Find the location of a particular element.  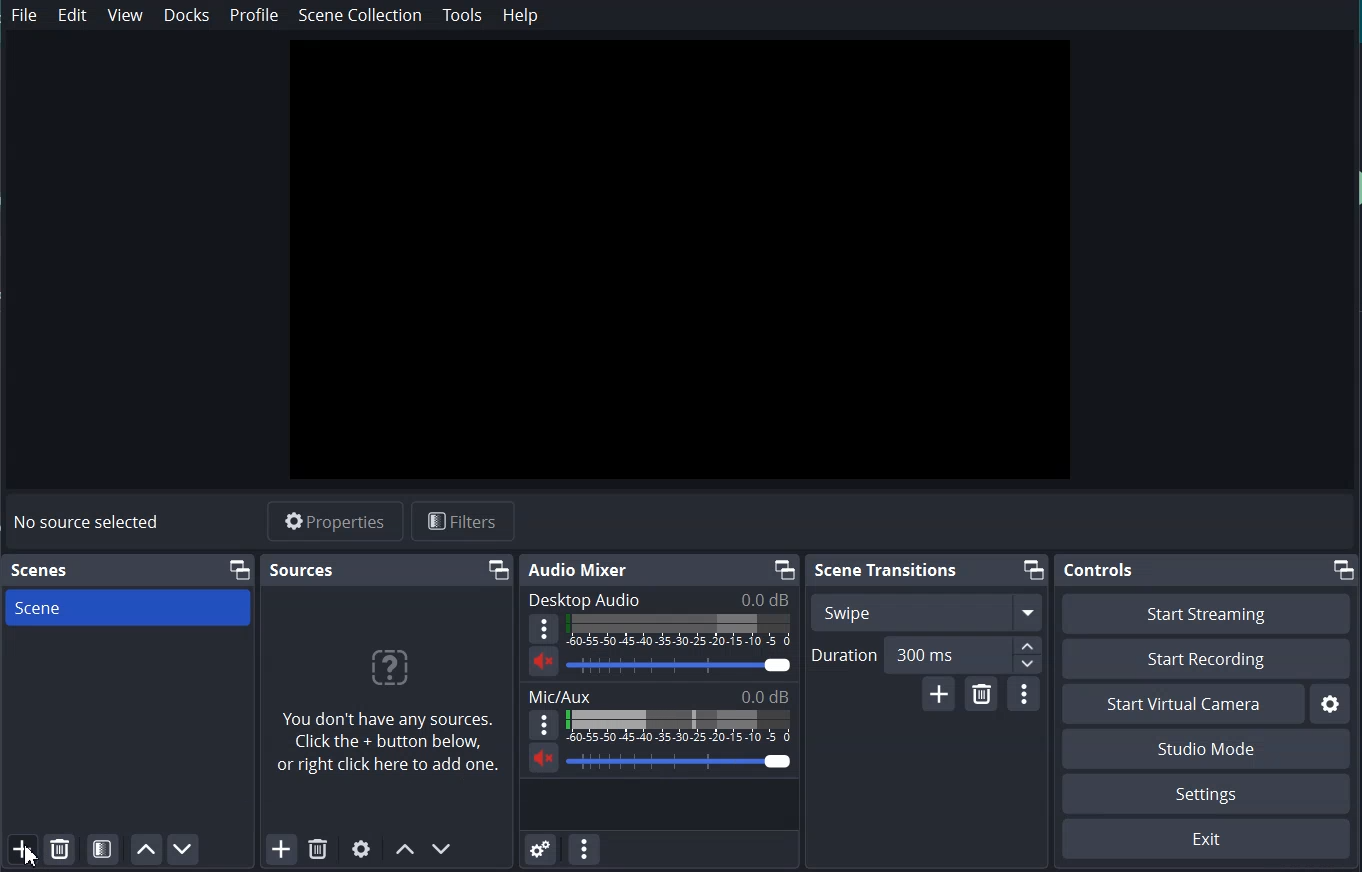

? is located at coordinates (387, 672).